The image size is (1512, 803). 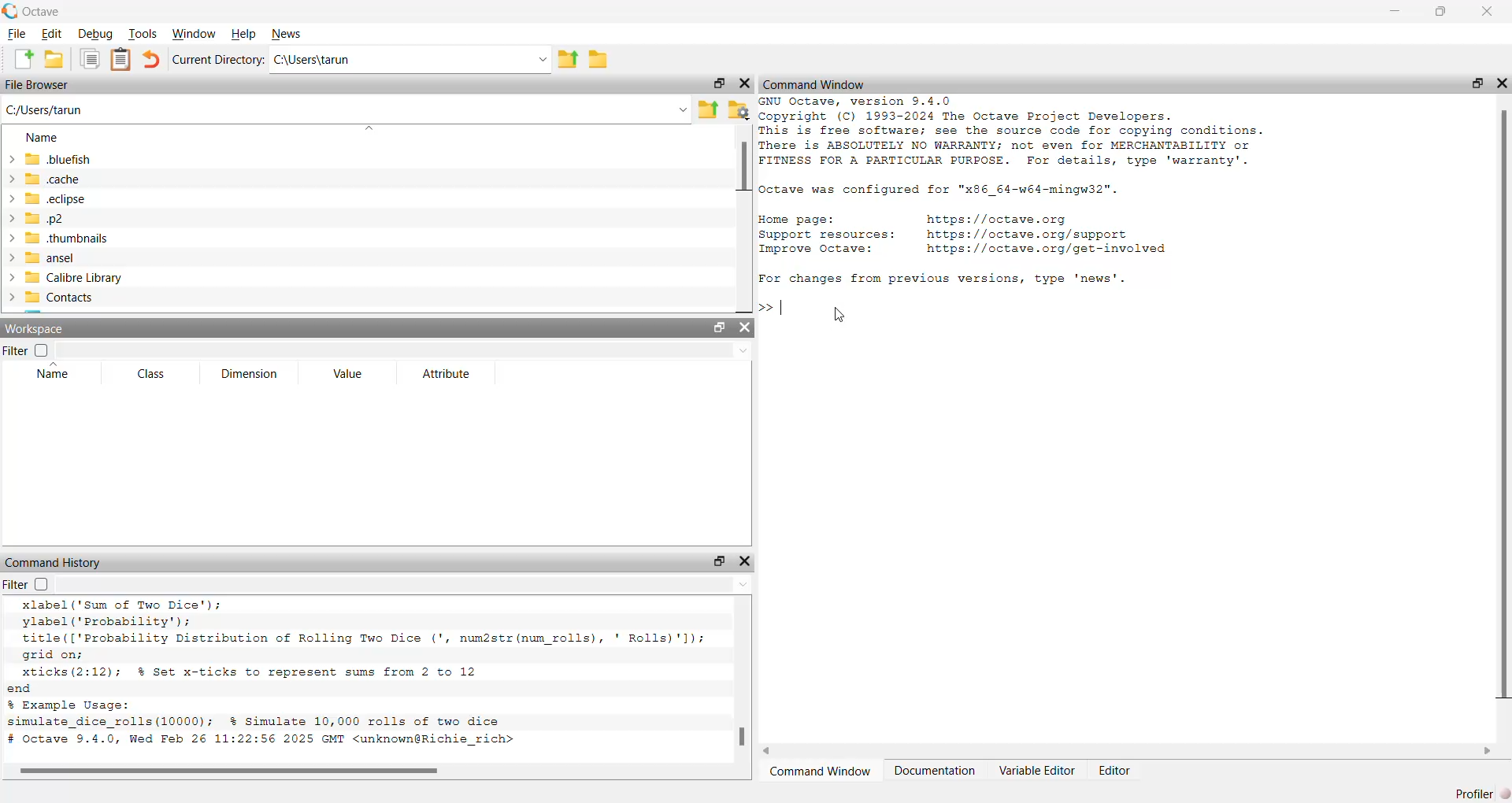 What do you see at coordinates (769, 749) in the screenshot?
I see `Back` at bounding box center [769, 749].